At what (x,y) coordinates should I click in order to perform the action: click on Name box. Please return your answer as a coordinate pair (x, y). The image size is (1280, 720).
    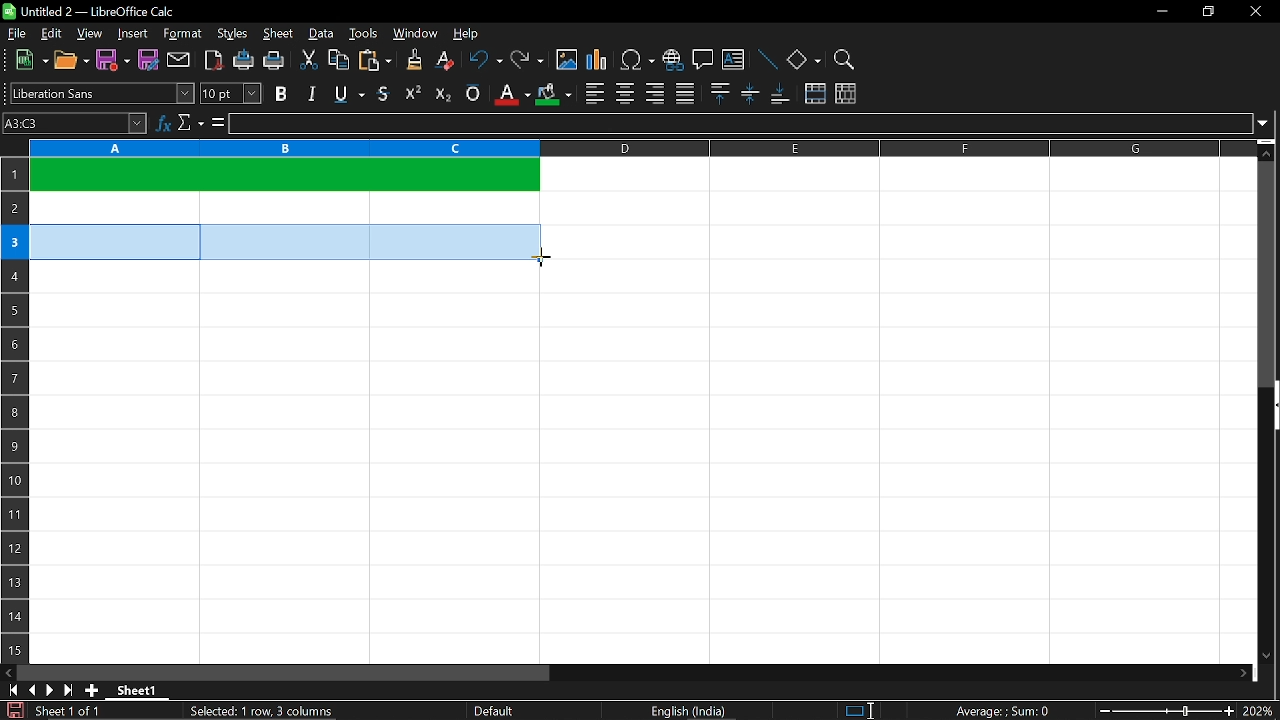
    Looking at the image, I should click on (75, 124).